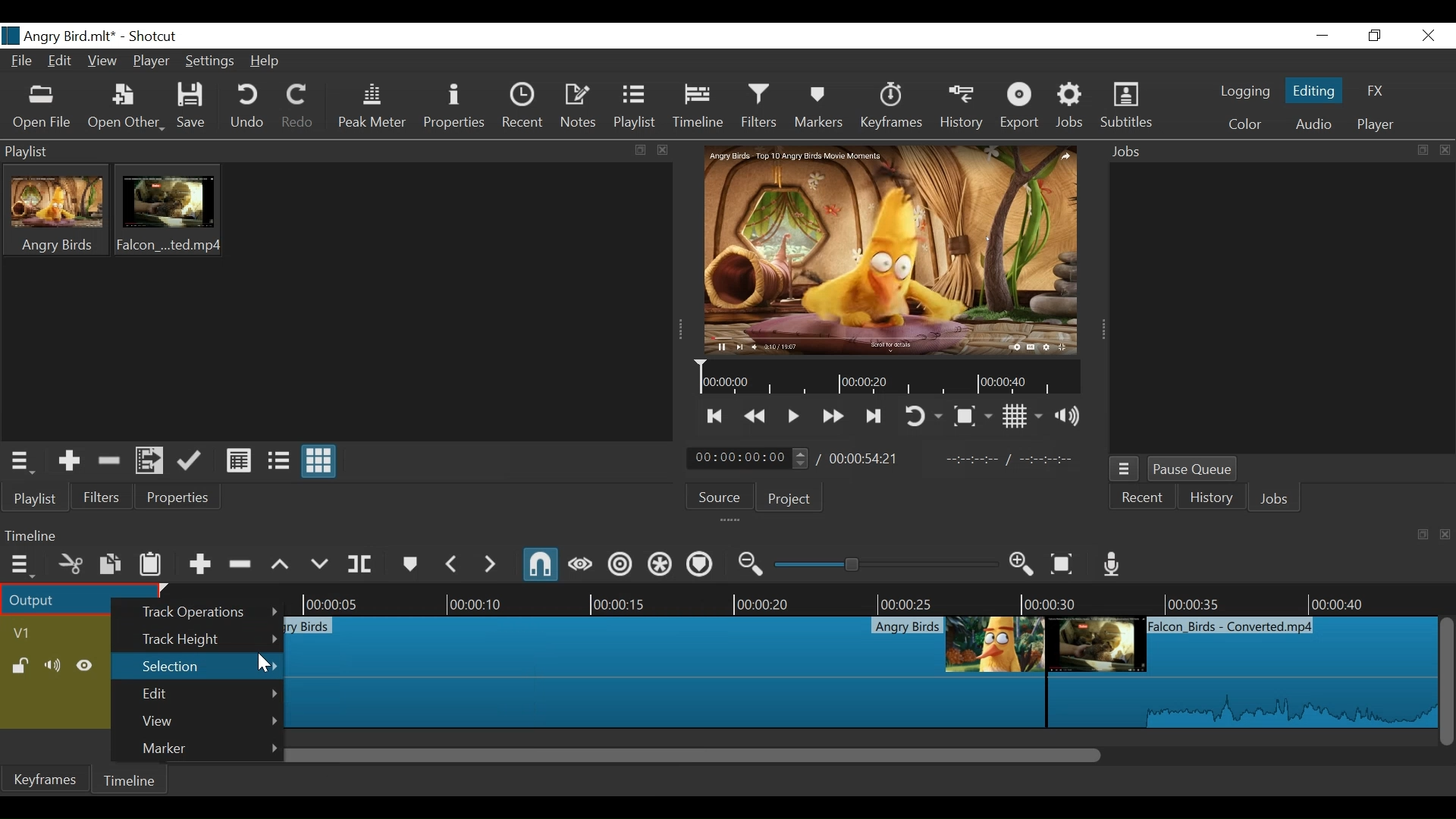 Image resolution: width=1456 pixels, height=819 pixels. Describe the element at coordinates (1196, 470) in the screenshot. I see `Pause Queue` at that location.